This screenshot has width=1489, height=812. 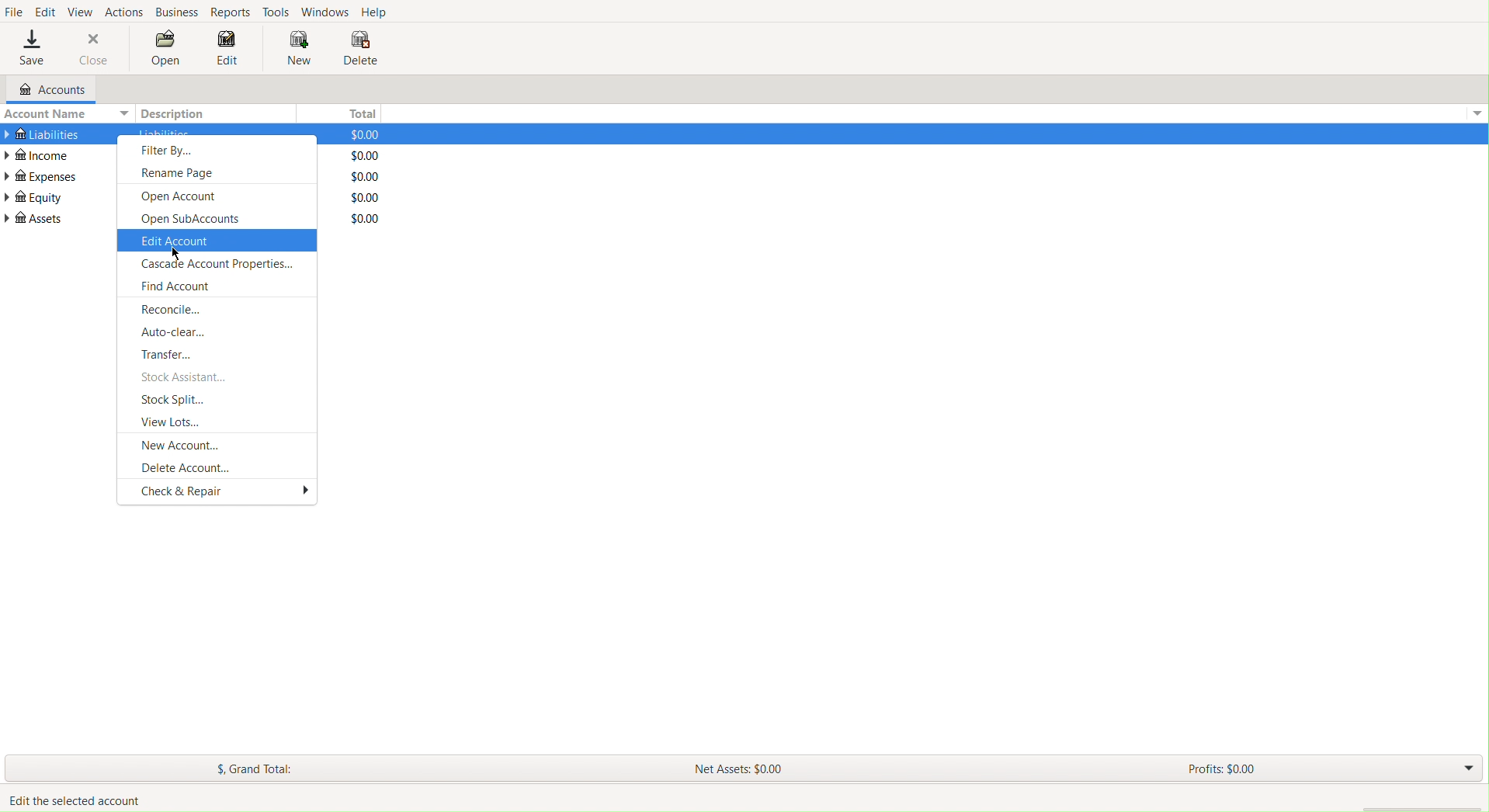 I want to click on Accounts, so click(x=45, y=90).